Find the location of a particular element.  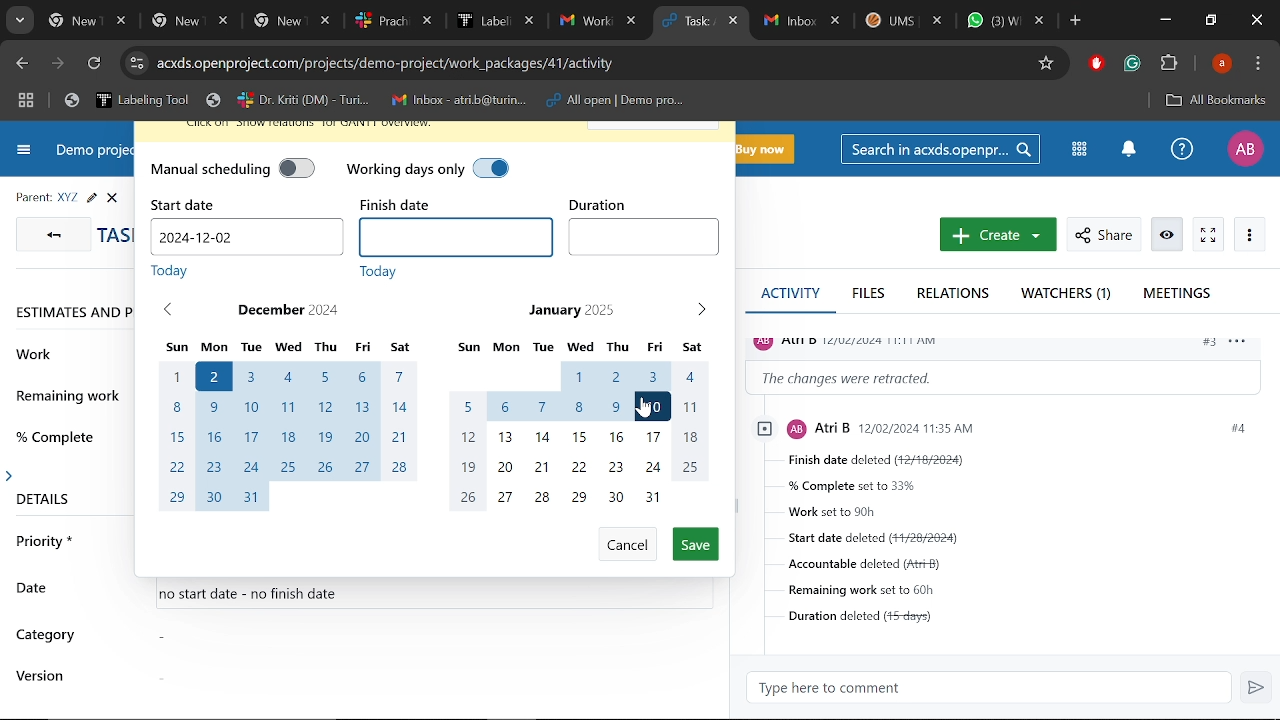

% complete is located at coordinates (59, 435).